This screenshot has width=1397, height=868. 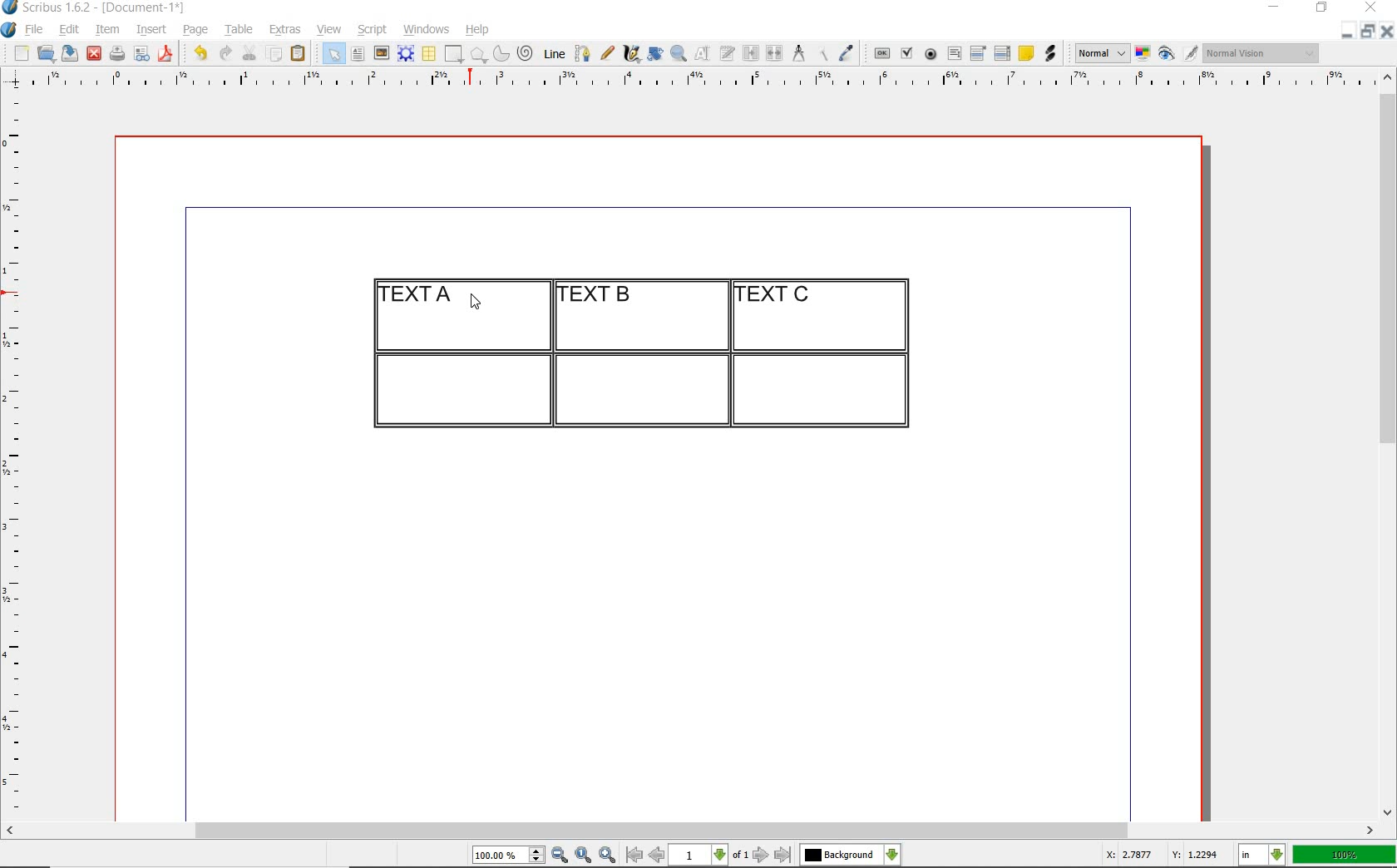 What do you see at coordinates (383, 53) in the screenshot?
I see `image frame` at bounding box center [383, 53].